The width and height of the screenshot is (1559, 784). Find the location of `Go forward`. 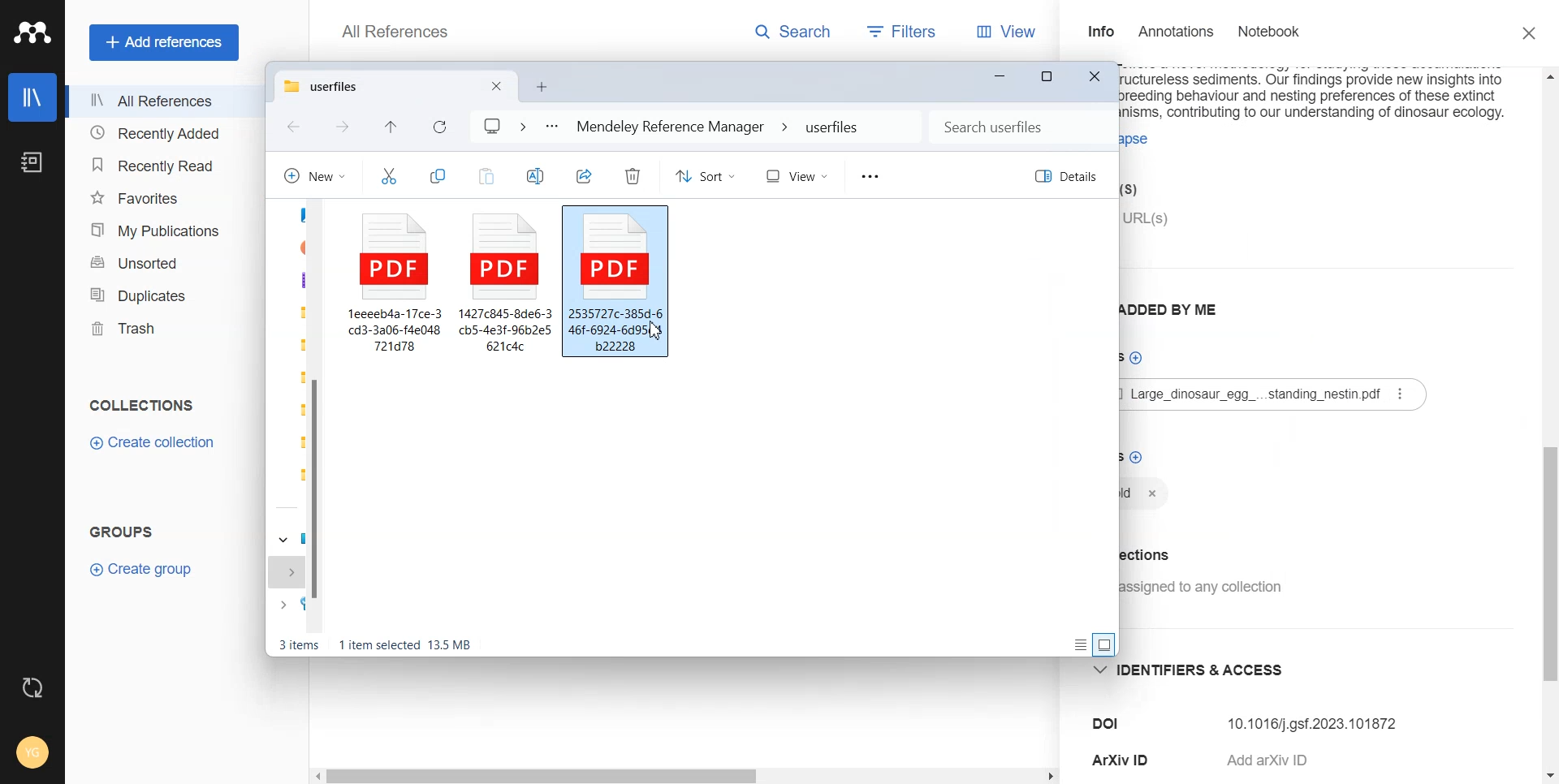

Go forward is located at coordinates (343, 126).